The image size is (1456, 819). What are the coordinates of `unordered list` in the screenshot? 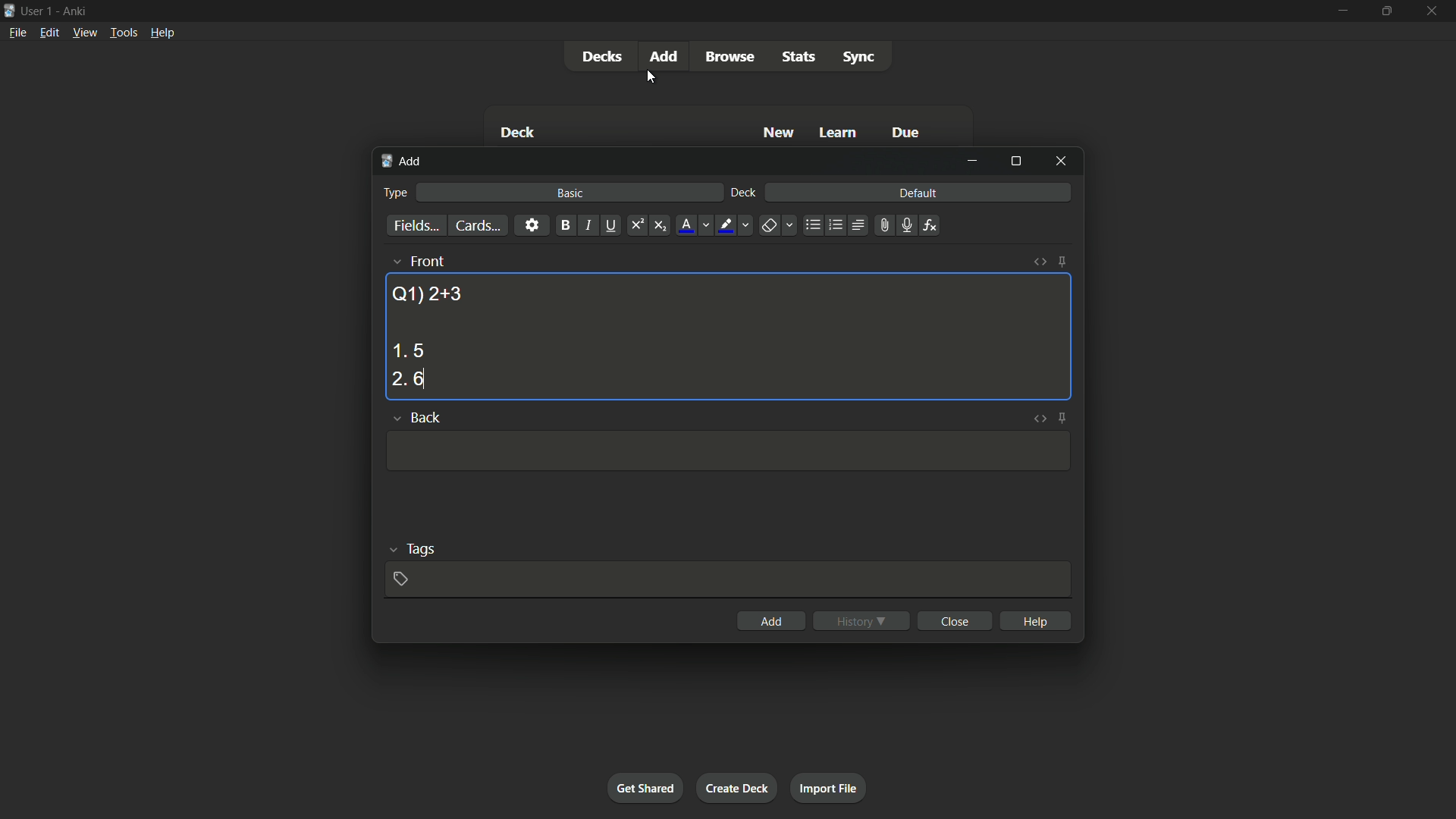 It's located at (812, 225).